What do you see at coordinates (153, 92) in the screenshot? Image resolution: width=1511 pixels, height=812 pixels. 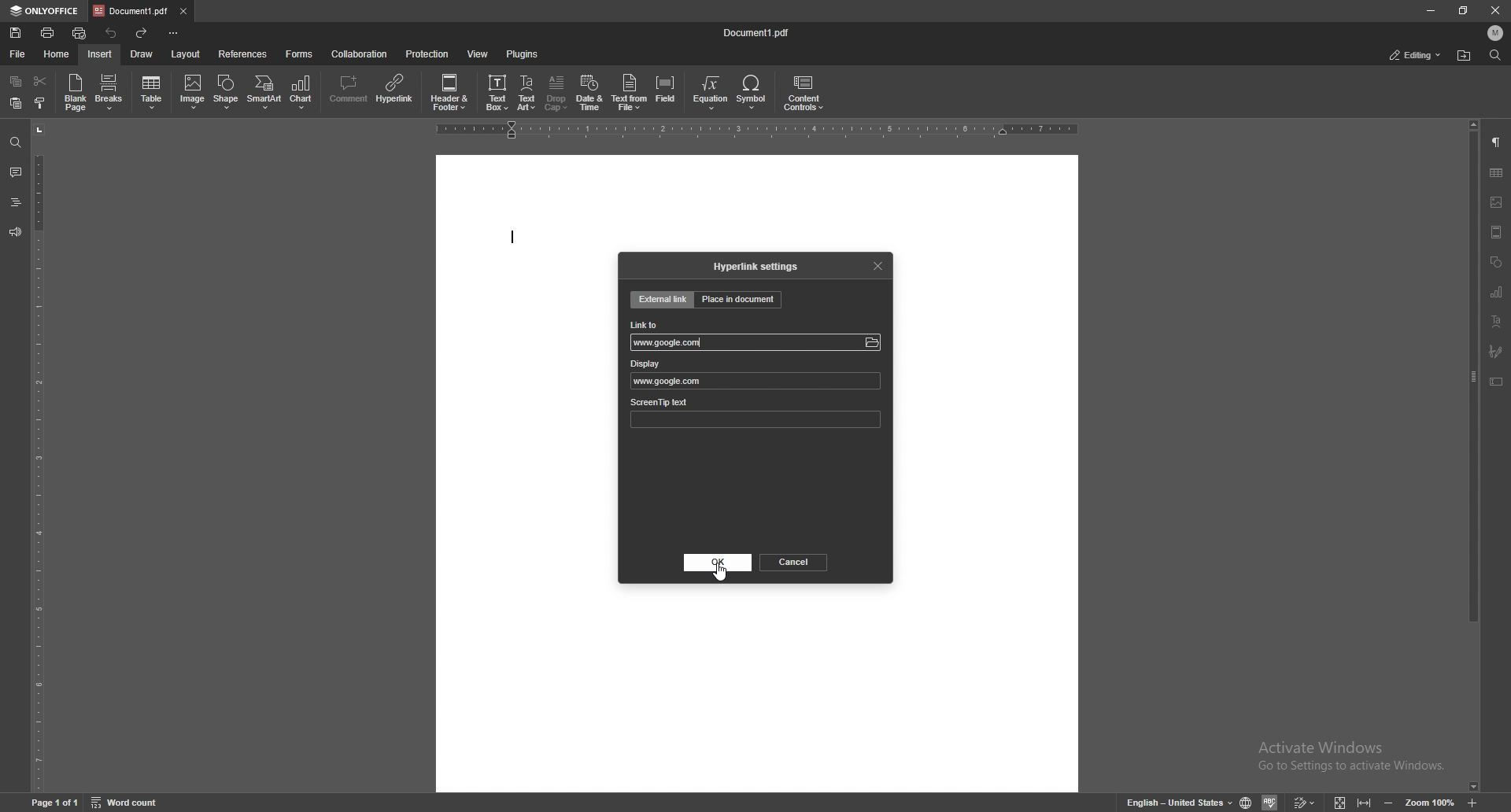 I see `table` at bounding box center [153, 92].